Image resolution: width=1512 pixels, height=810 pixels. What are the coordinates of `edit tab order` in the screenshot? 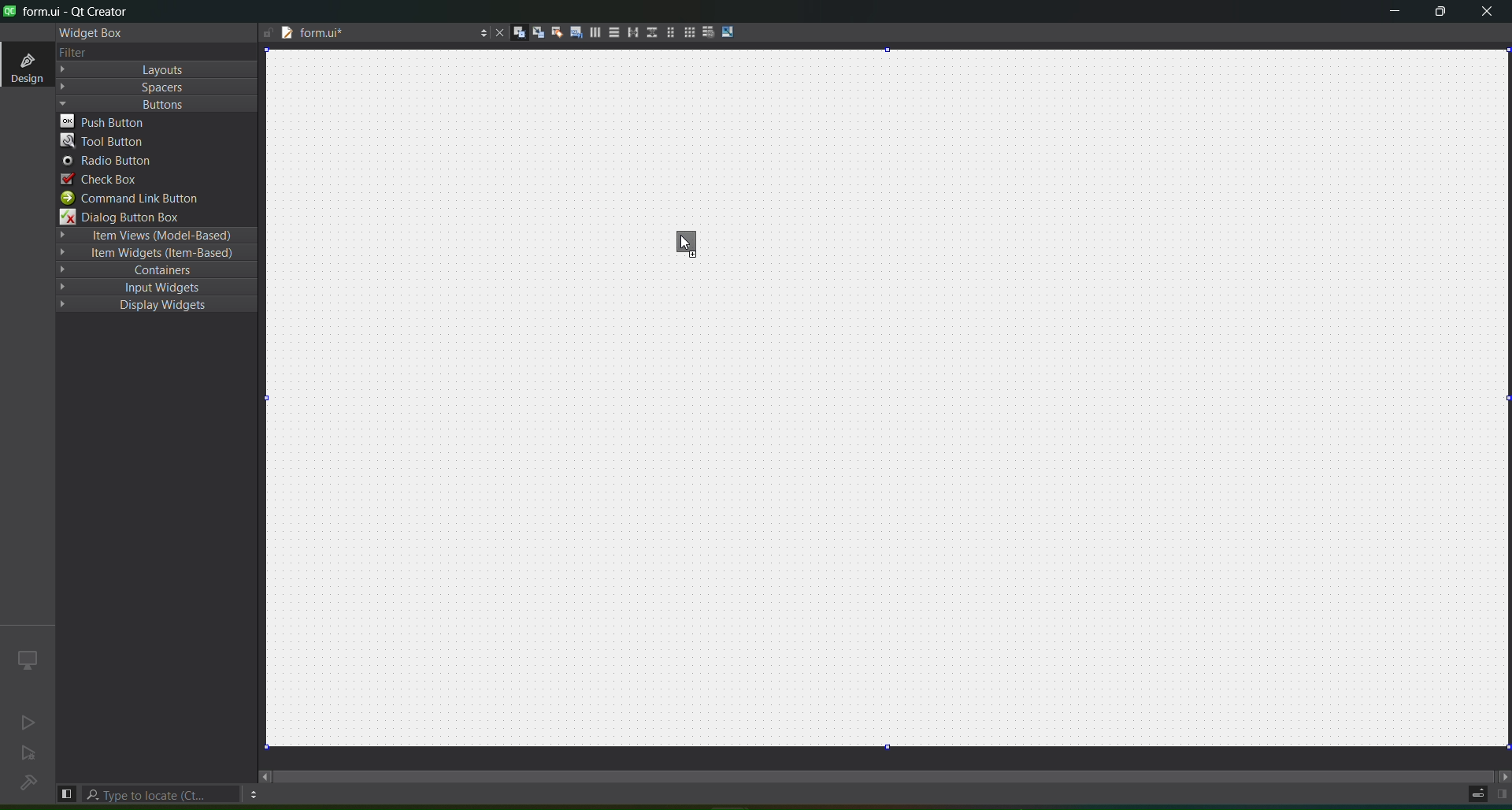 It's located at (573, 33).